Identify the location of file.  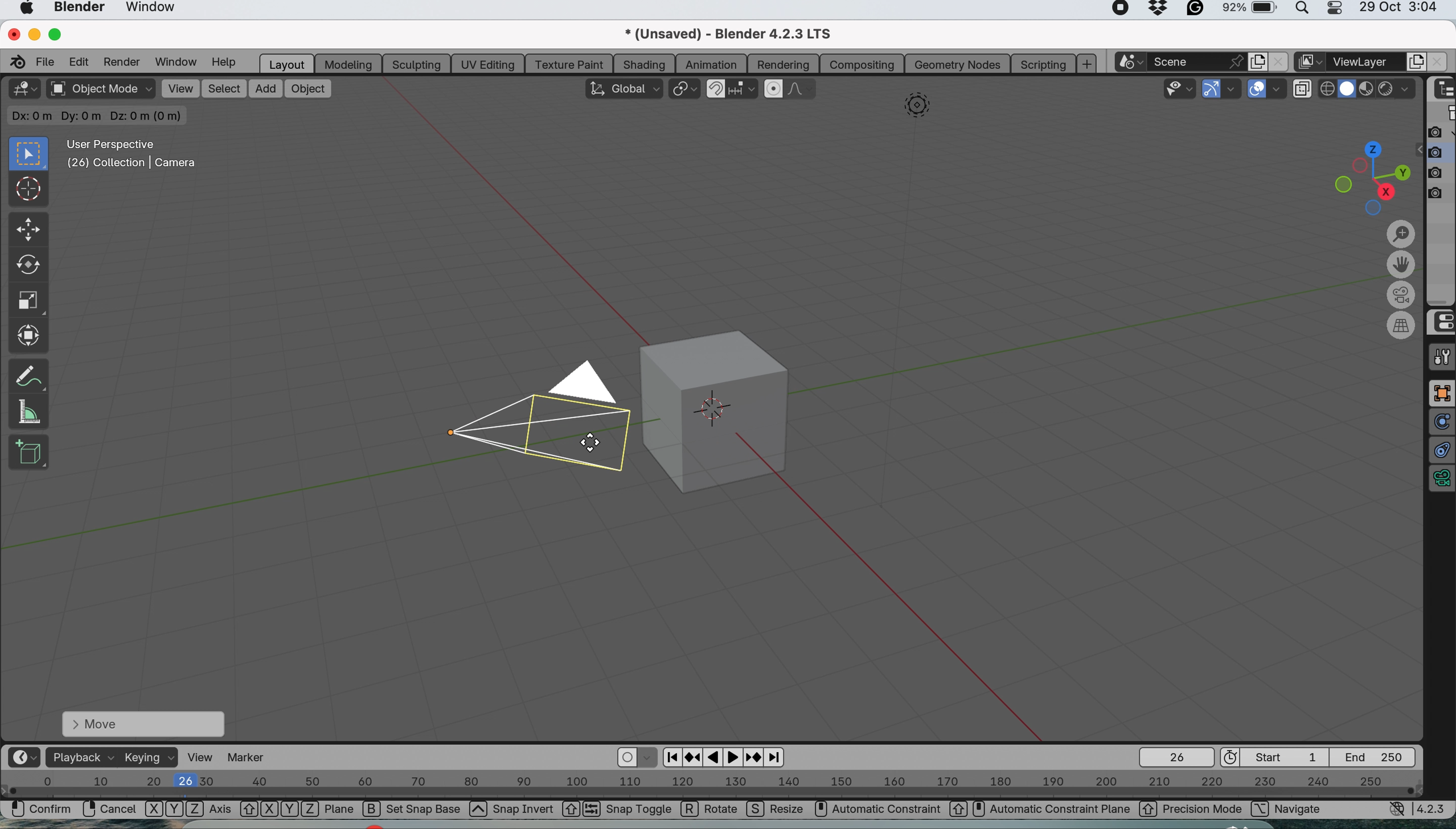
(47, 61).